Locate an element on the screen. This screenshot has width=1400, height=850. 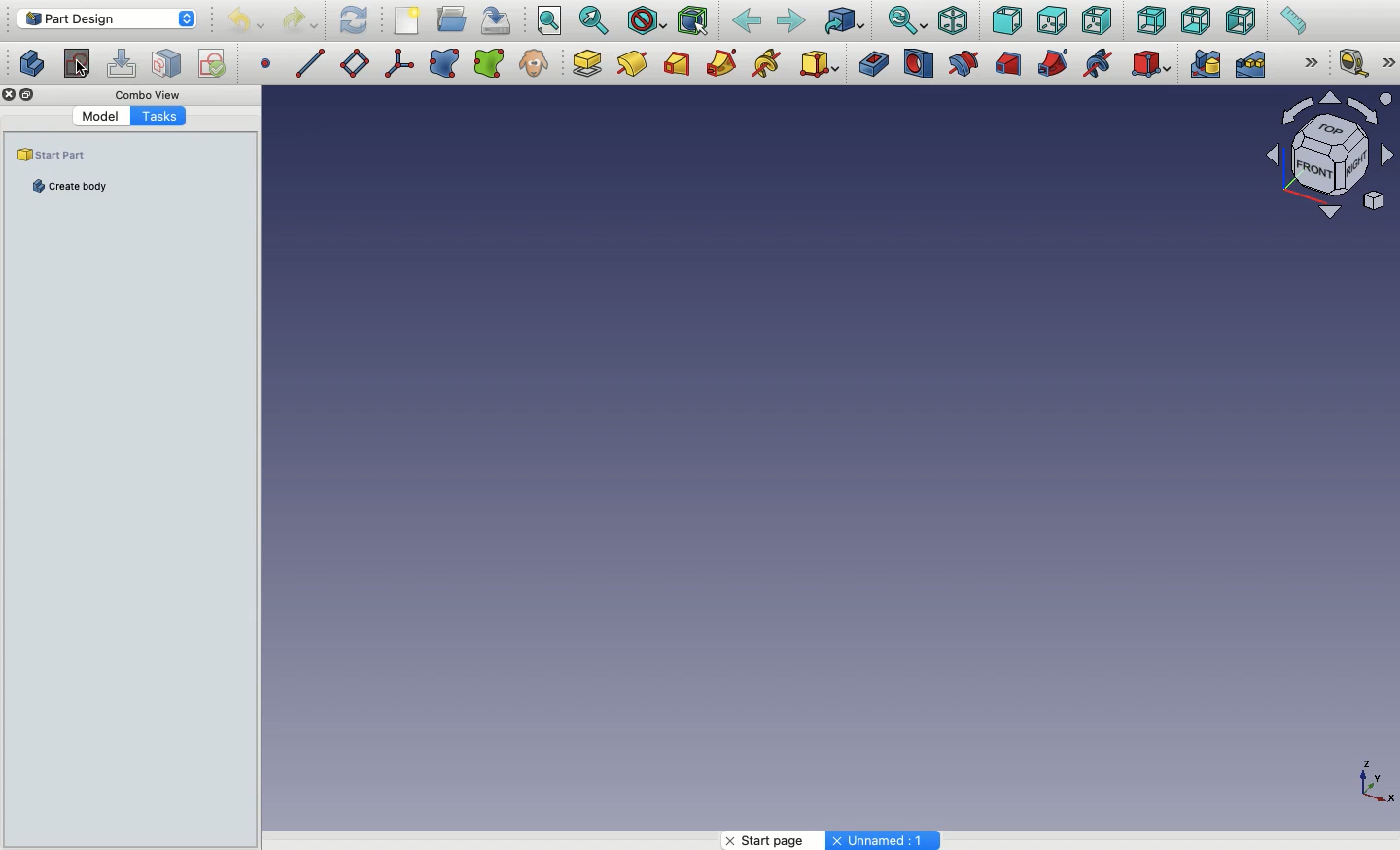
Subtractive helix is located at coordinates (1098, 63).